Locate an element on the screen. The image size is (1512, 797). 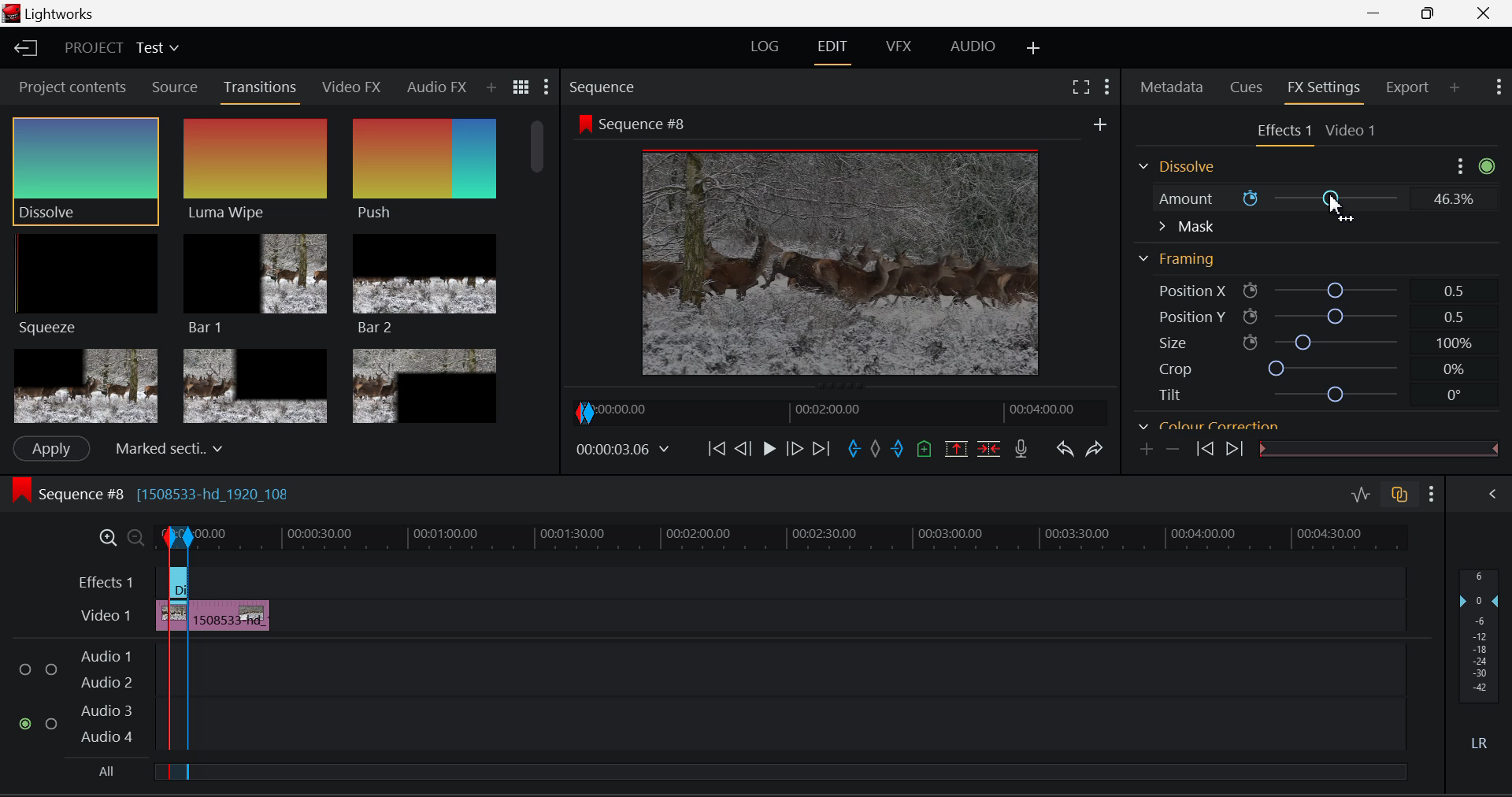
Apply is located at coordinates (52, 449).